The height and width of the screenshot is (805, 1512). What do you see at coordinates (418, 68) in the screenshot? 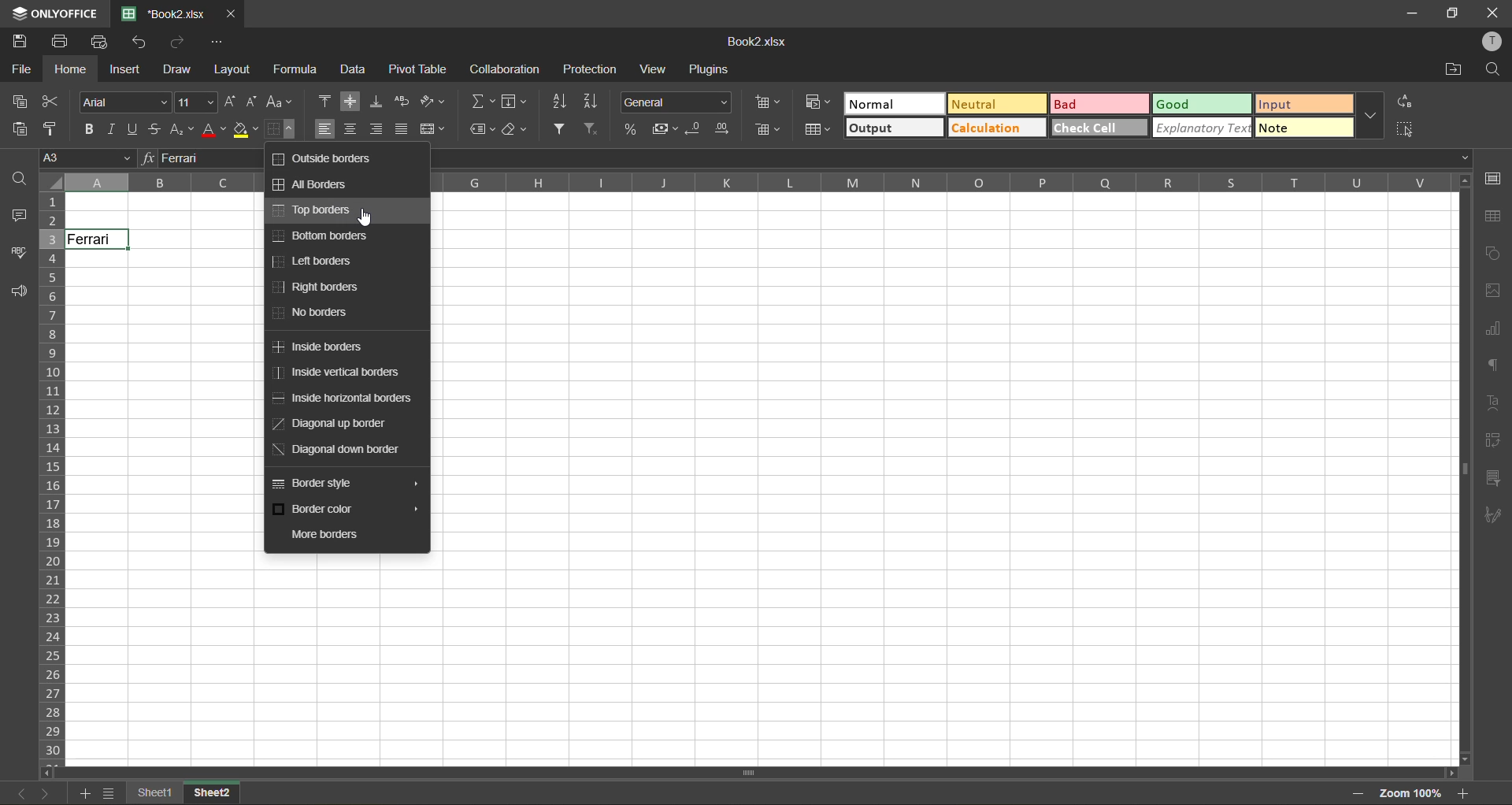
I see `pivot table` at bounding box center [418, 68].